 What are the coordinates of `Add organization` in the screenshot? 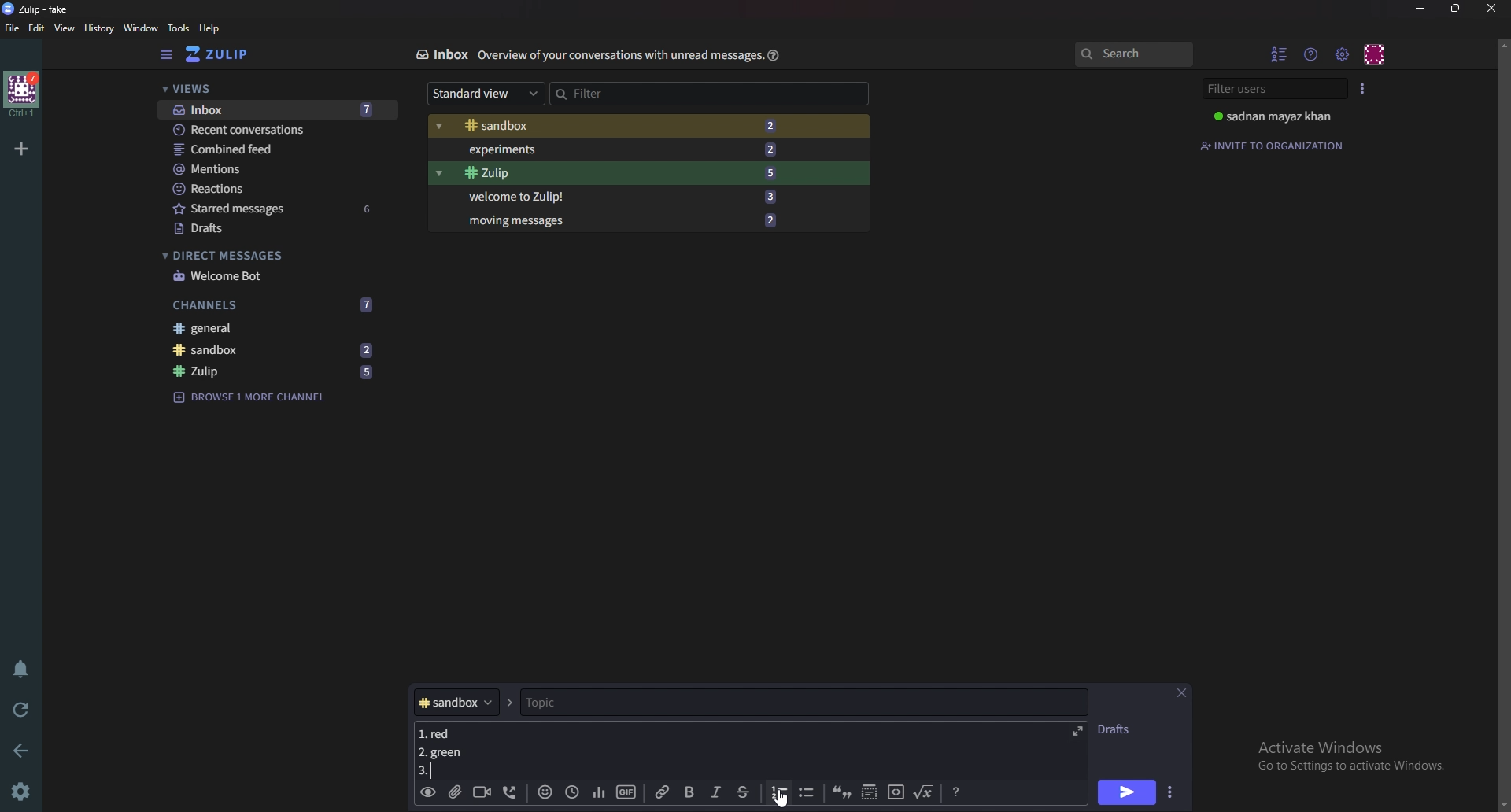 It's located at (23, 146).